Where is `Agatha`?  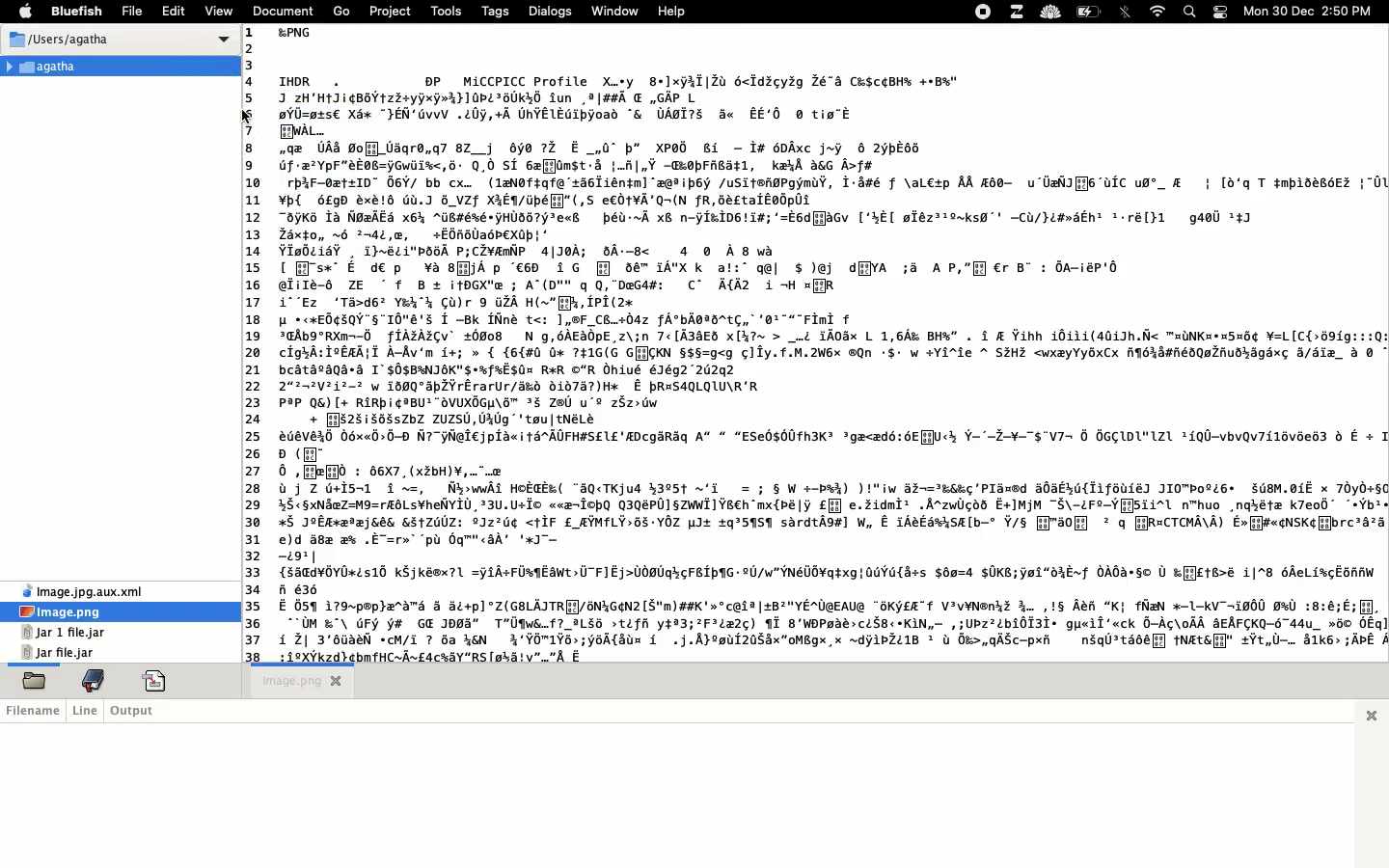
Agatha is located at coordinates (46, 67).